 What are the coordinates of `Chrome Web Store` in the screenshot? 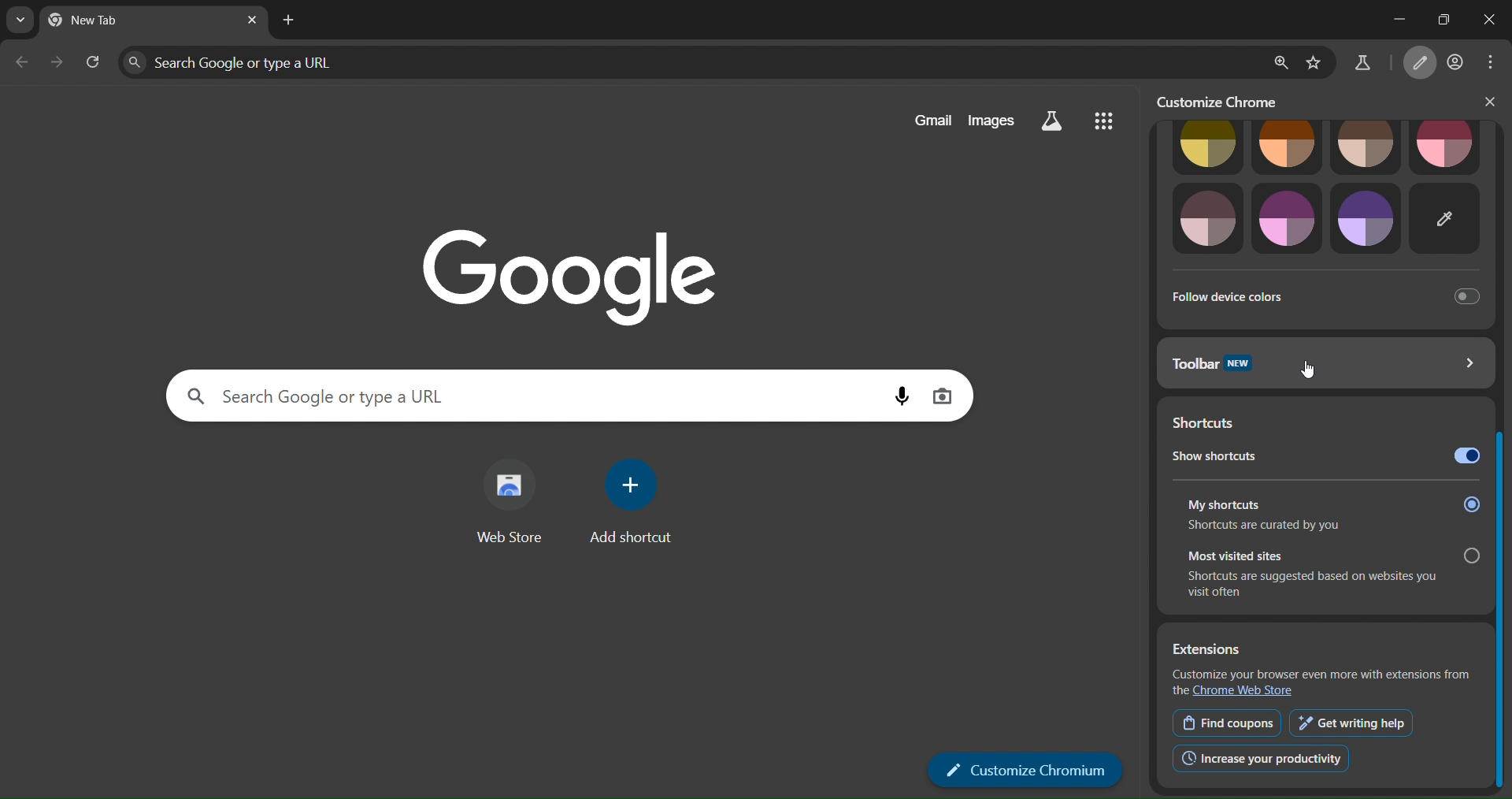 It's located at (1244, 689).